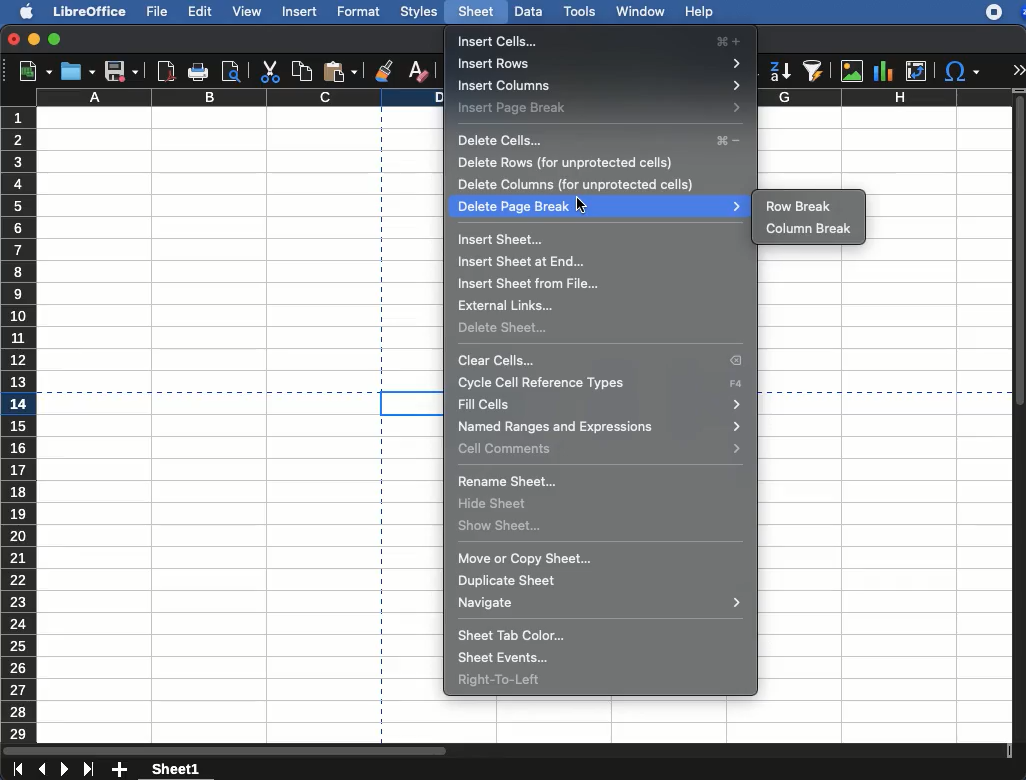  What do you see at coordinates (512, 483) in the screenshot?
I see `rename sheet` at bounding box center [512, 483].